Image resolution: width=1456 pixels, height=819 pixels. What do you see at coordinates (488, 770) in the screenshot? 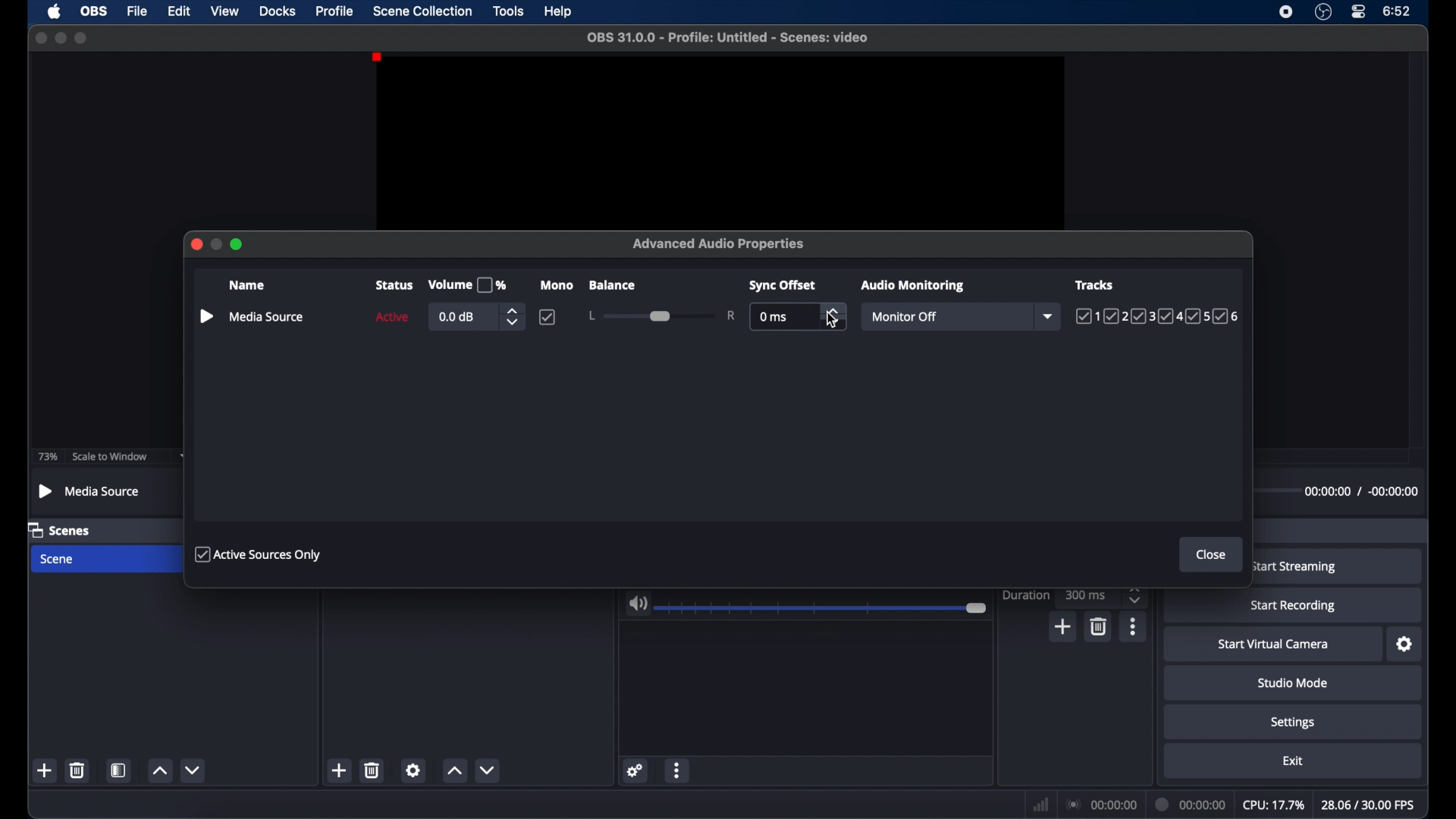
I see `decrement` at bounding box center [488, 770].